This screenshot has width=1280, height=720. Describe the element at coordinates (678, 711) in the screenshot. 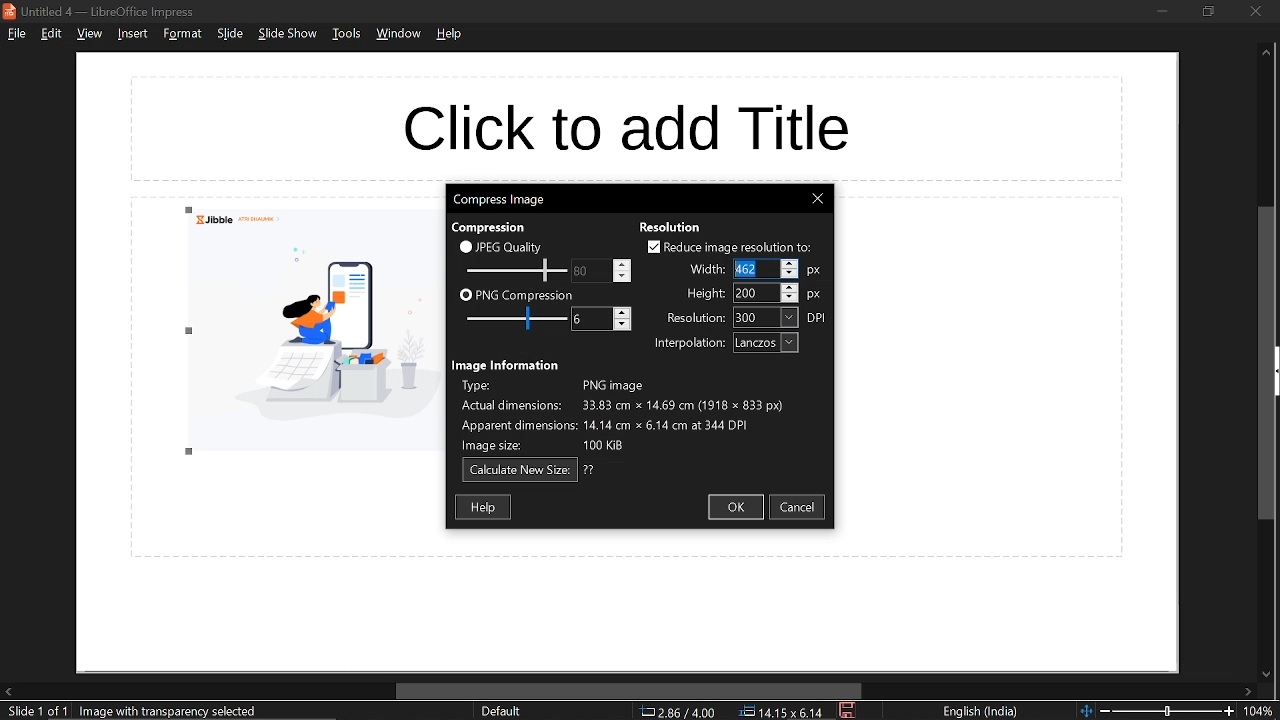

I see `co-ordinate` at that location.